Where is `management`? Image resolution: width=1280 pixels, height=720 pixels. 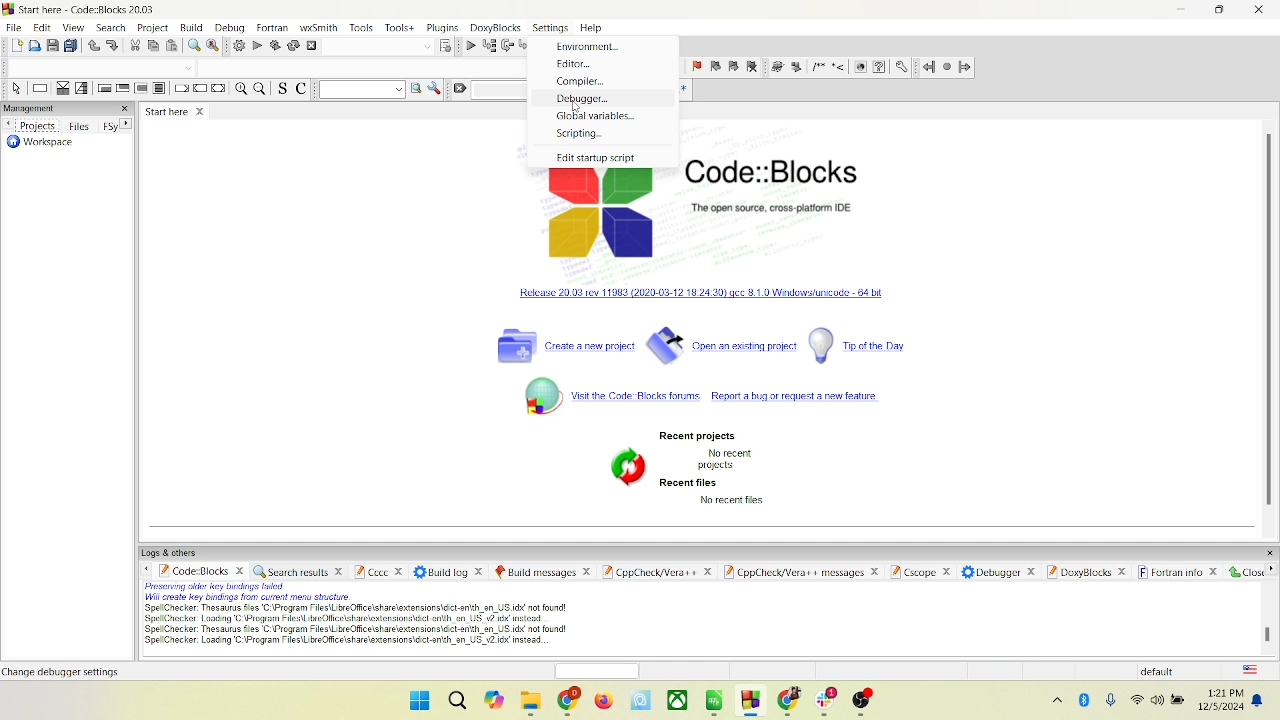 management is located at coordinates (68, 109).